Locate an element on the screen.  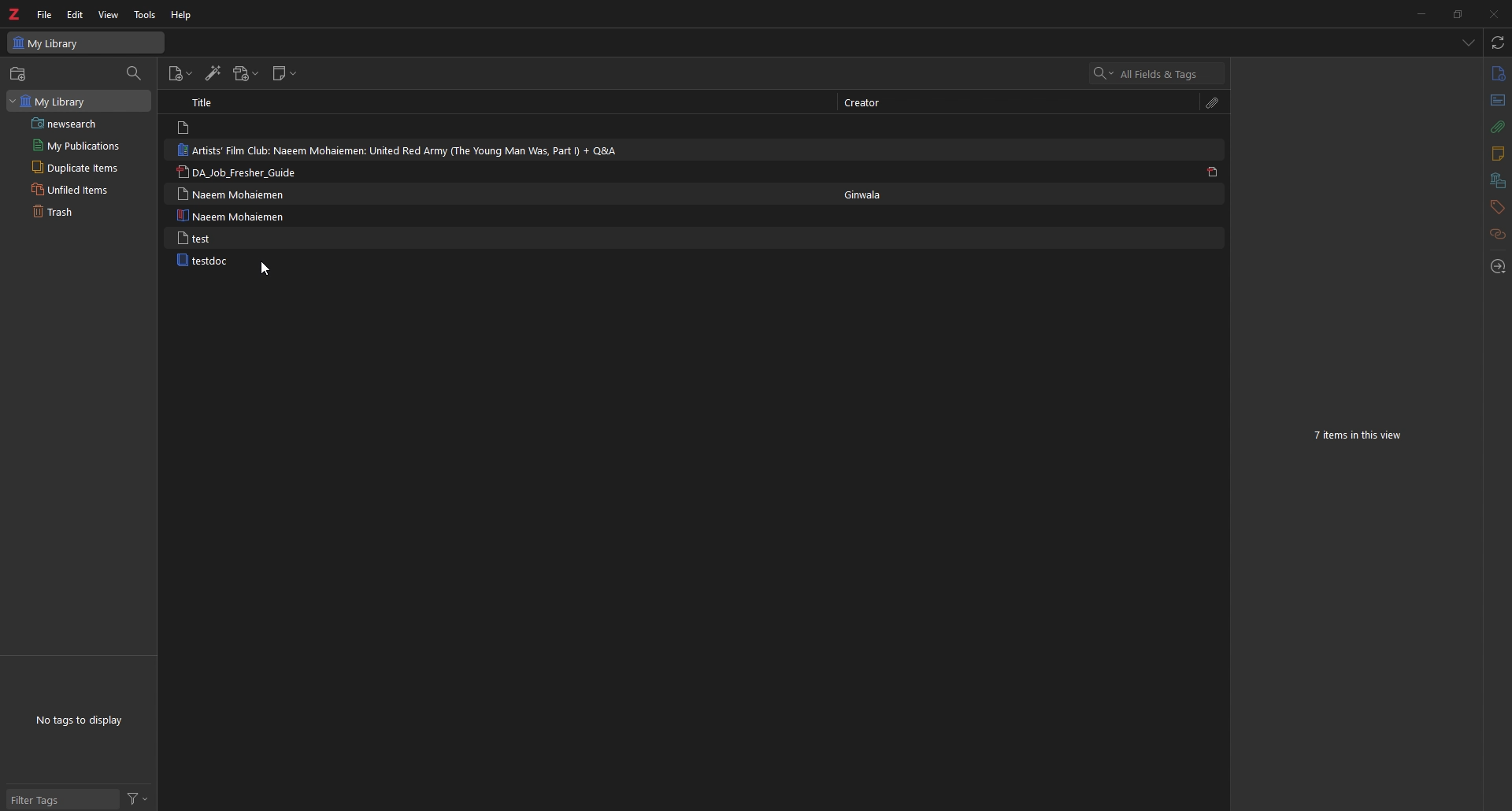
my library is located at coordinates (79, 101).